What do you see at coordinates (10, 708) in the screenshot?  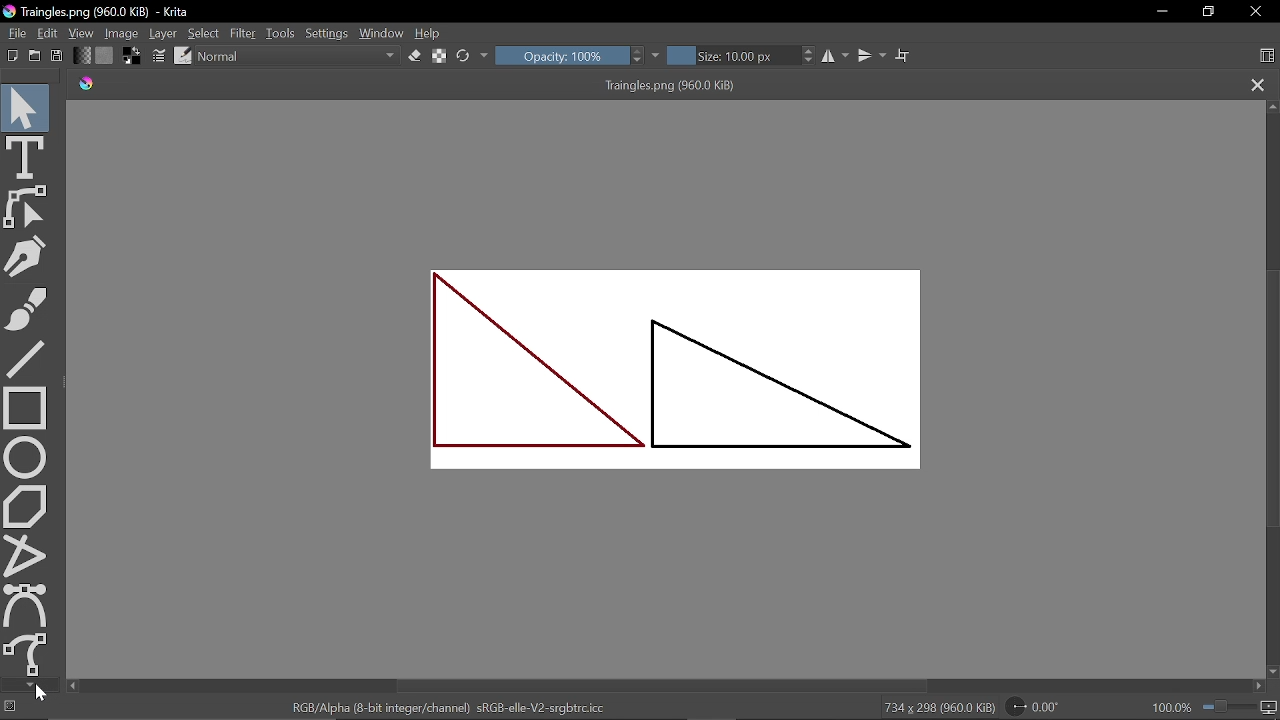 I see `No selection` at bounding box center [10, 708].